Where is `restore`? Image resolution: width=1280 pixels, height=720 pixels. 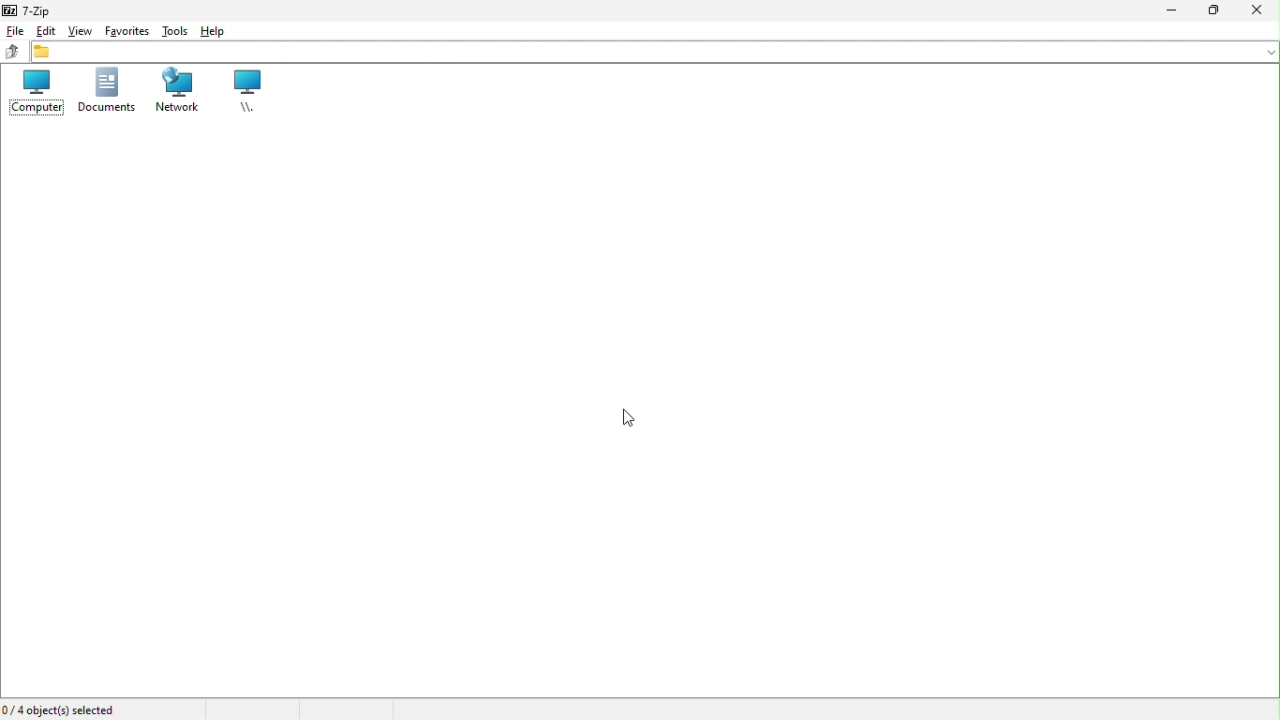 restore is located at coordinates (1221, 12).